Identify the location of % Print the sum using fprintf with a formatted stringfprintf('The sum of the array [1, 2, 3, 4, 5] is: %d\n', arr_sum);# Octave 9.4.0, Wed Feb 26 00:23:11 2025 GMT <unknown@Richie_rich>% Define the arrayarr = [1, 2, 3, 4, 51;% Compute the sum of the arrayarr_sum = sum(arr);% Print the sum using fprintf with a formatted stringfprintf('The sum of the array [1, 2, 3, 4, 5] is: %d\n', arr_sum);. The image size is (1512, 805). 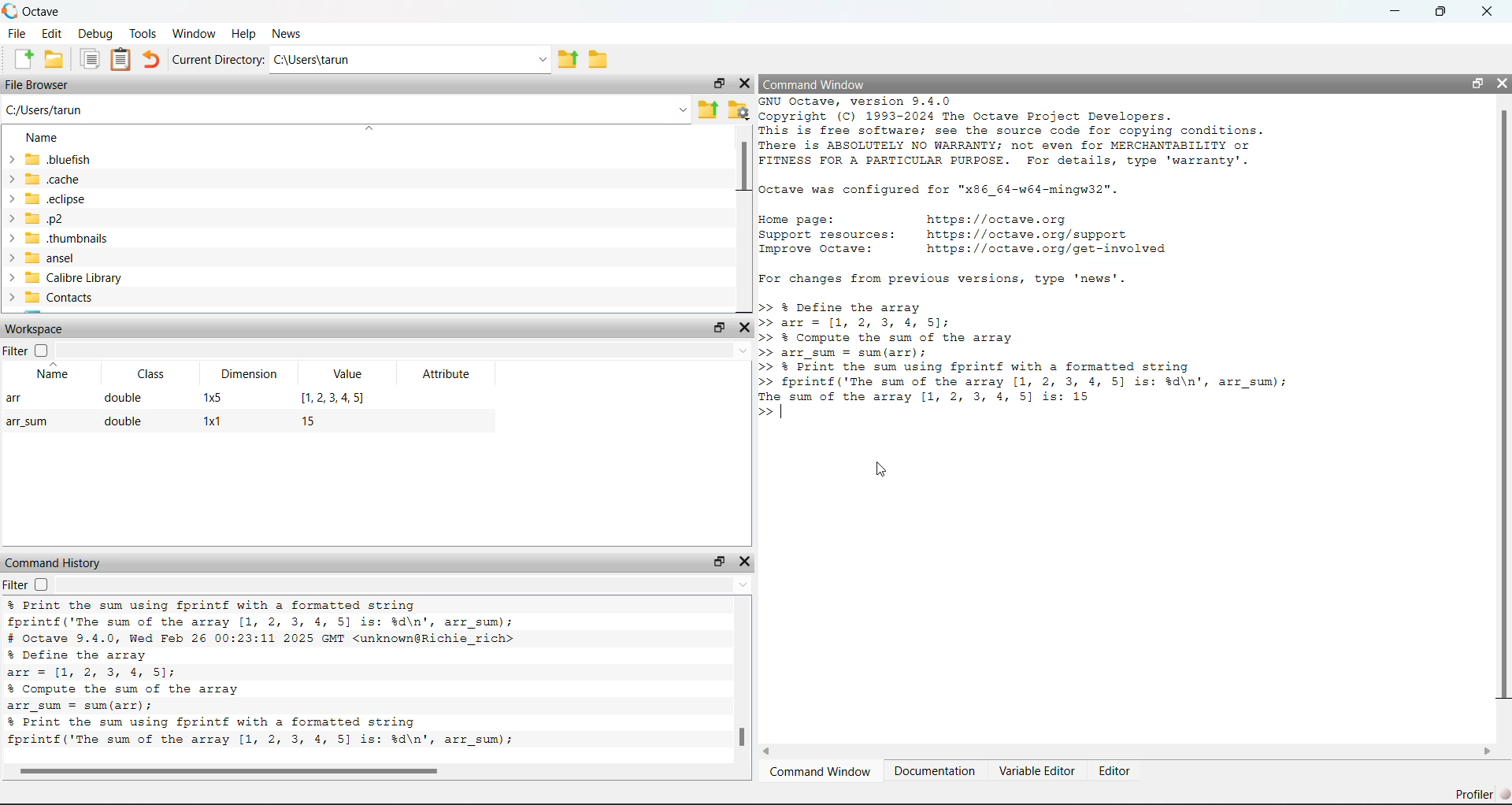
(338, 676).